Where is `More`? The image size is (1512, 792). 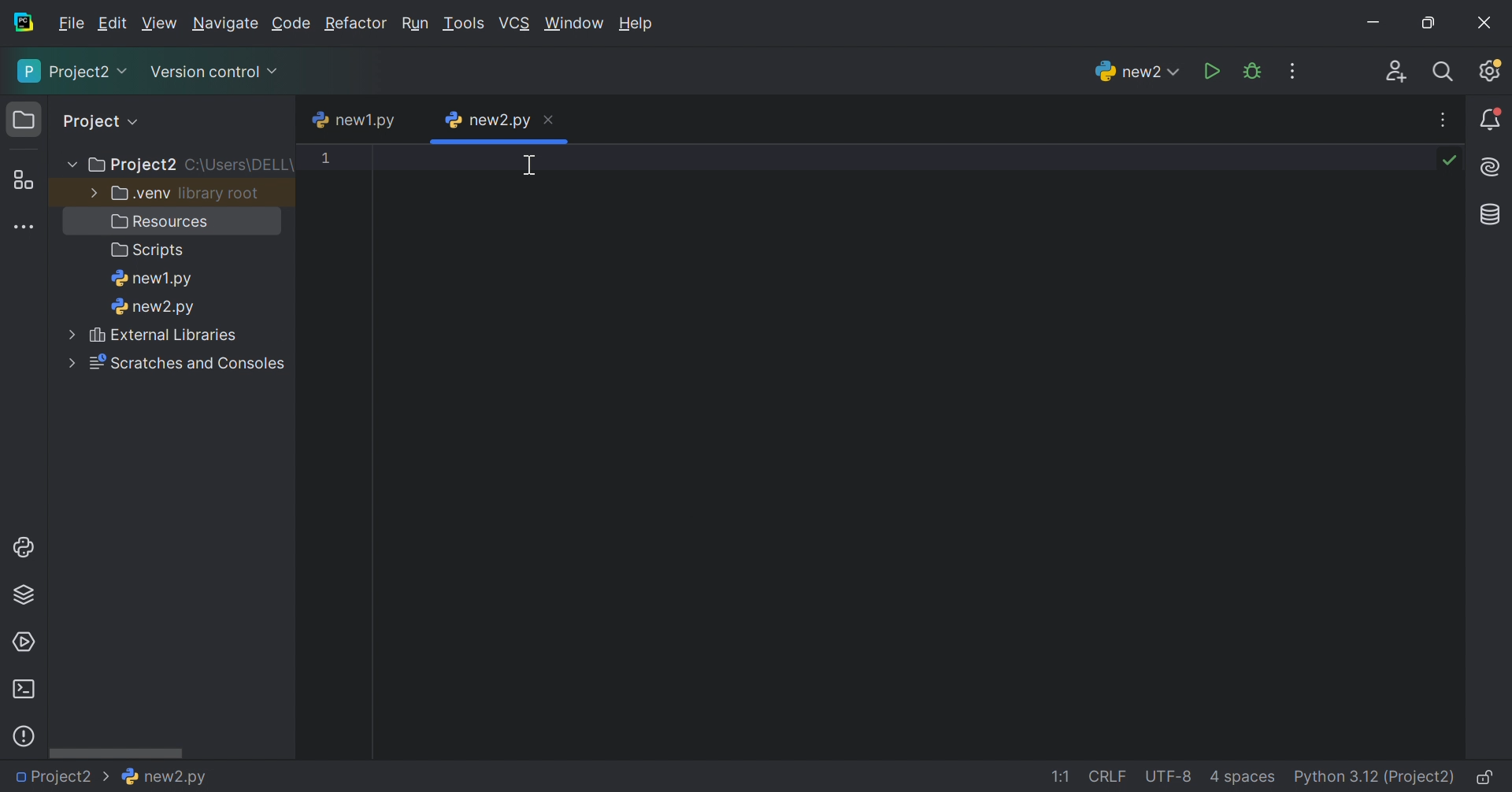 More is located at coordinates (67, 358).